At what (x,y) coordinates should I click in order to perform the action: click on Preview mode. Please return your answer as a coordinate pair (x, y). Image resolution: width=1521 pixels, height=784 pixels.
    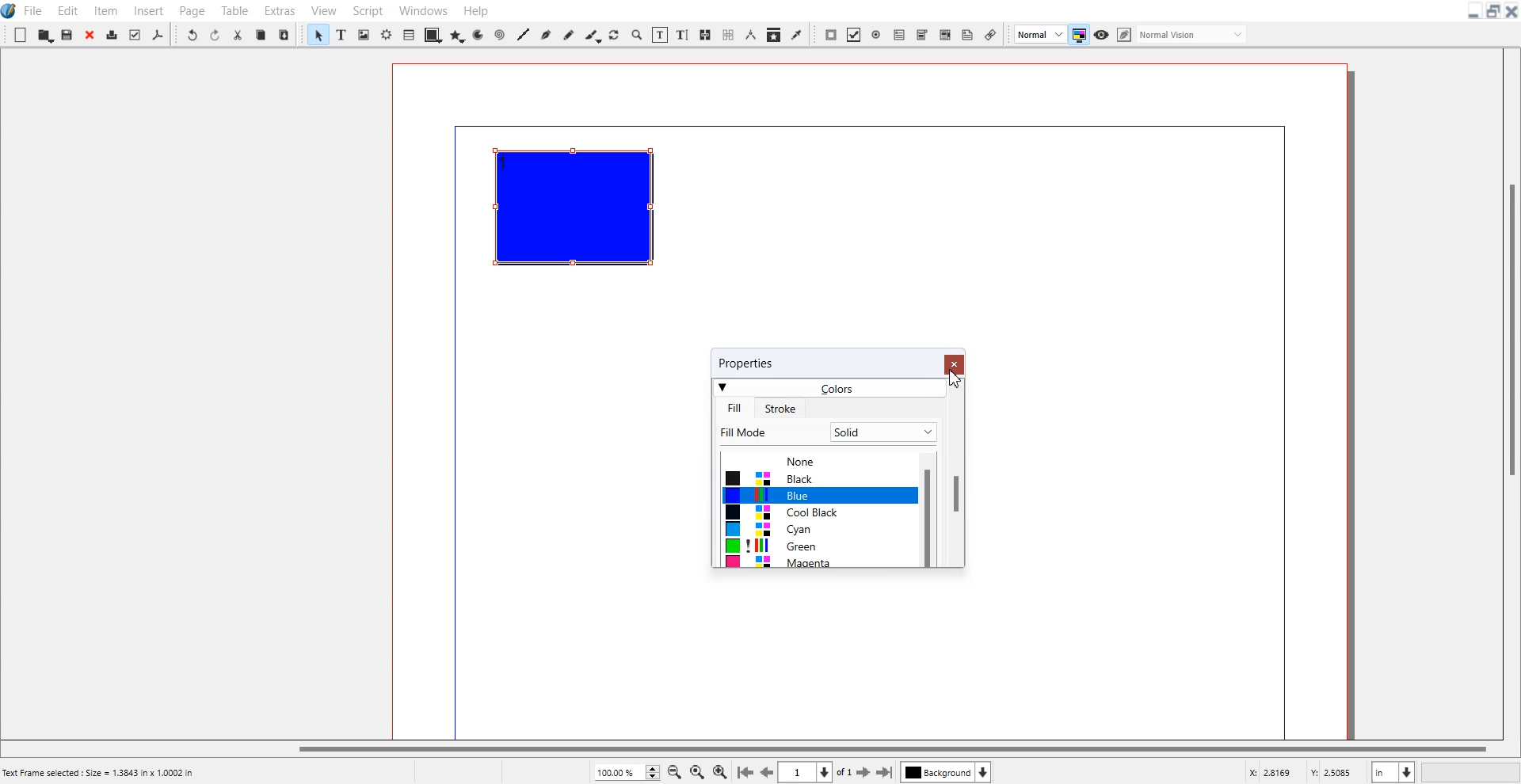
    Looking at the image, I should click on (1102, 35).